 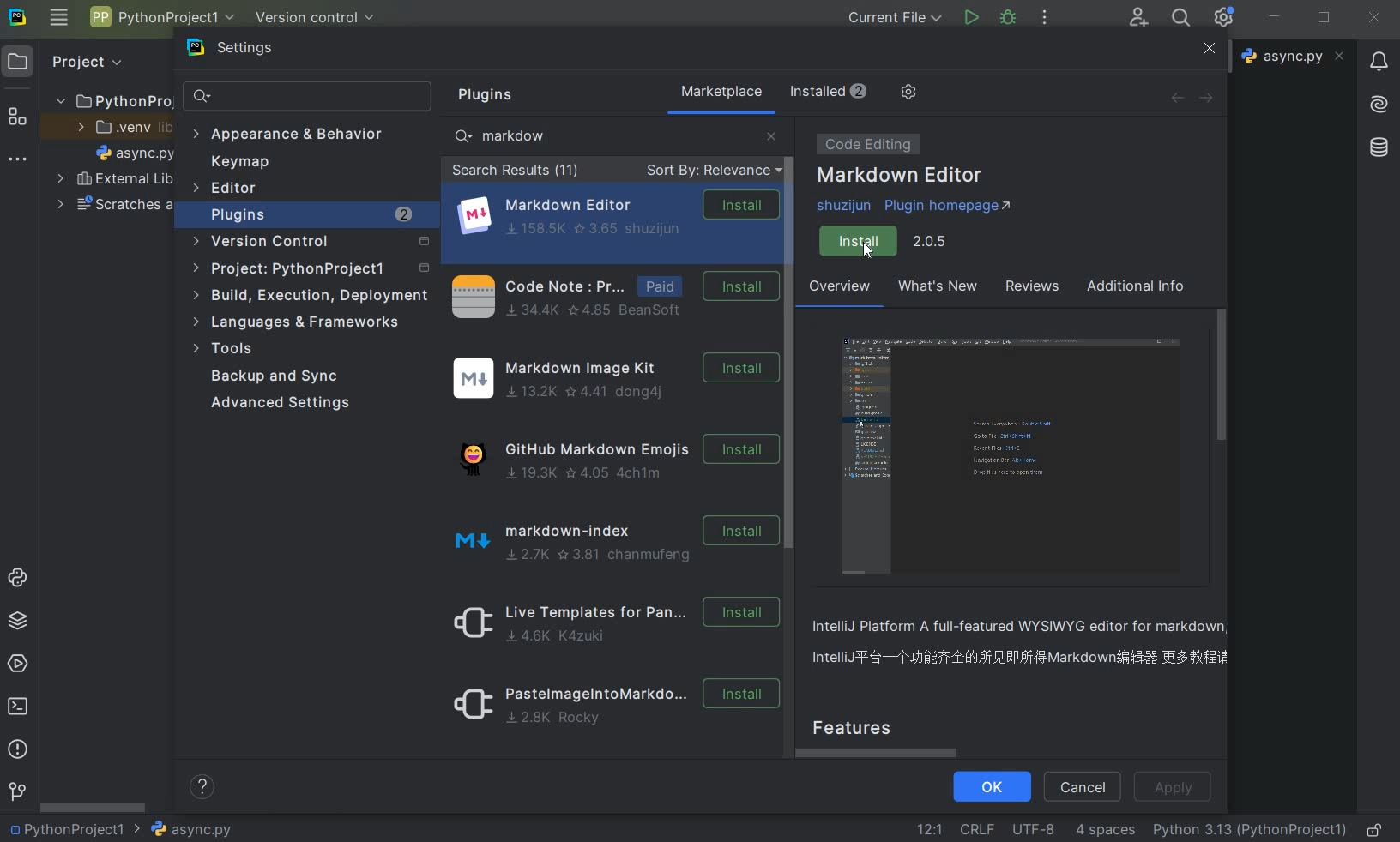 What do you see at coordinates (869, 251) in the screenshot?
I see `cursor` at bounding box center [869, 251].